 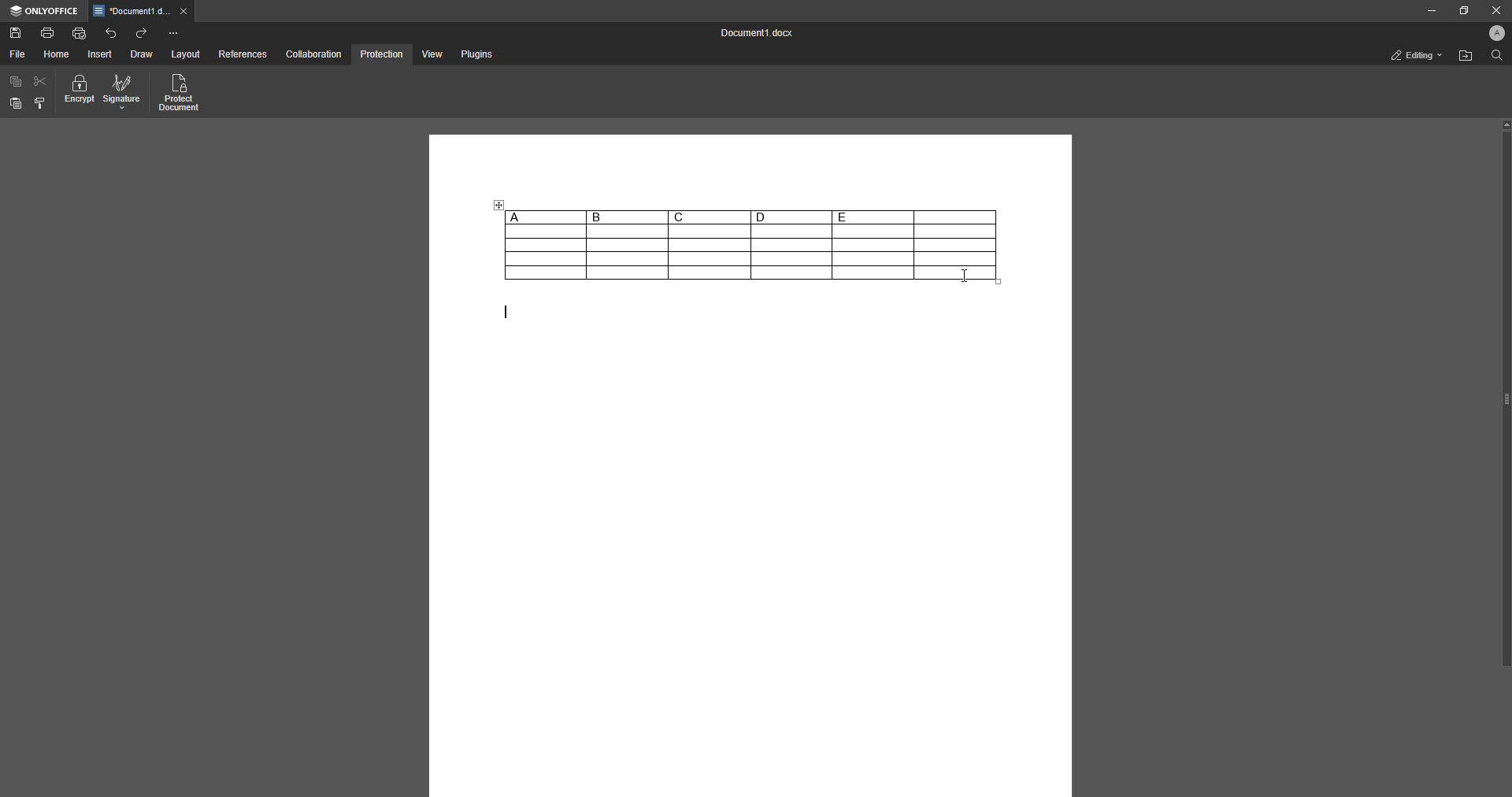 I want to click on Close, so click(x=1493, y=10).